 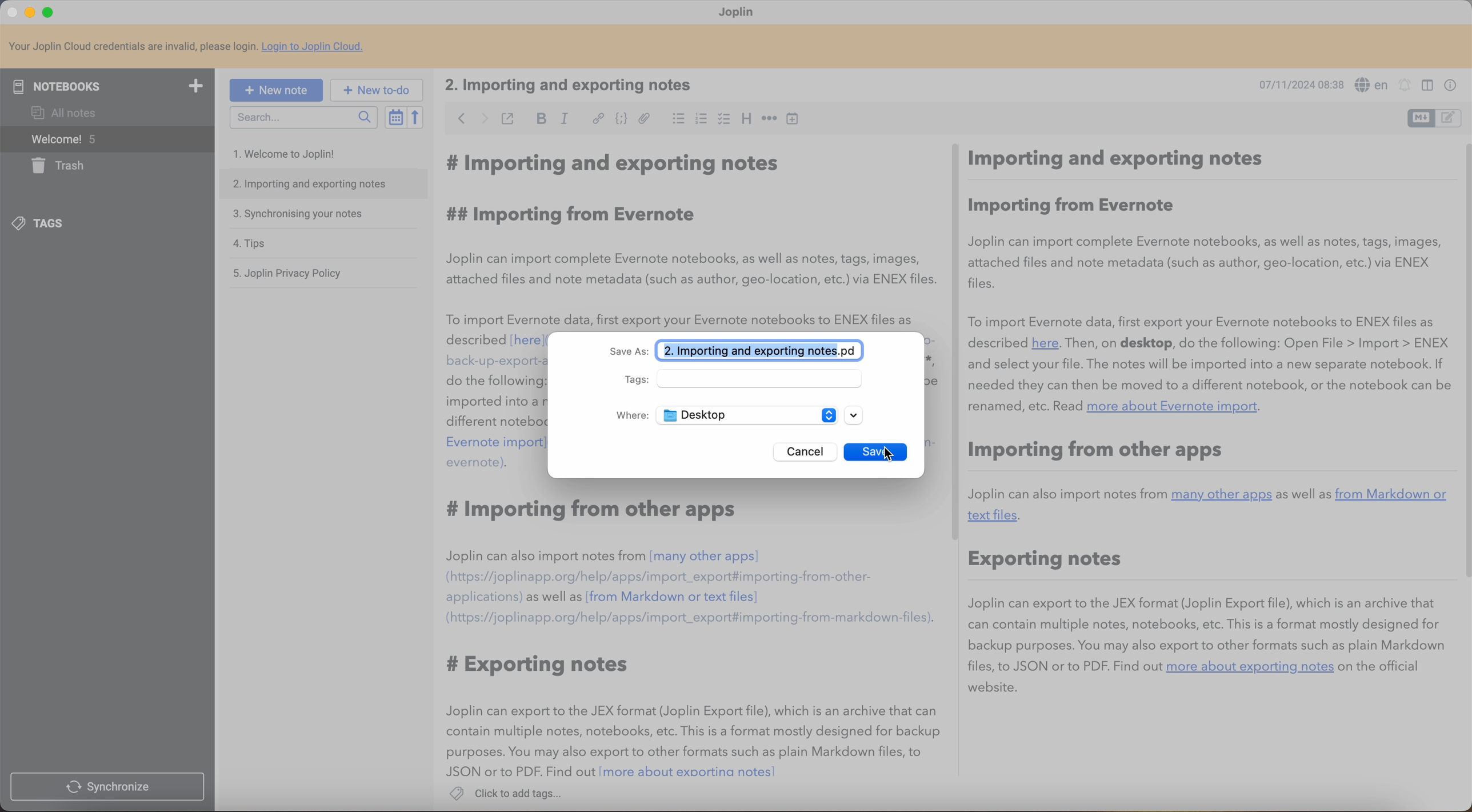 I want to click on Your Joplin Cloud credentials are invalid, please login. Login to Joplin Cloud, so click(x=196, y=47).